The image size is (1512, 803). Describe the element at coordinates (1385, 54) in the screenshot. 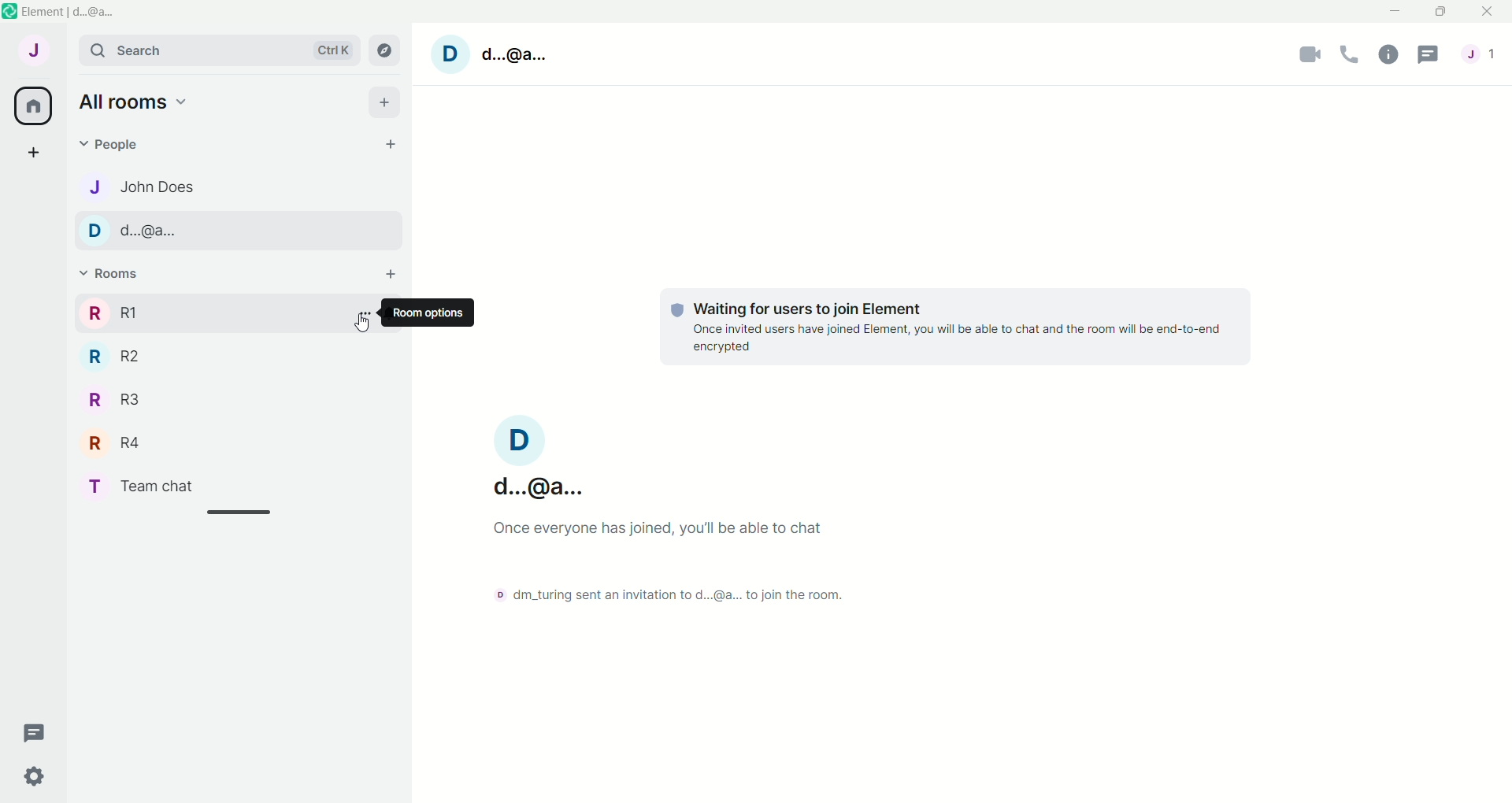

I see `room info` at that location.